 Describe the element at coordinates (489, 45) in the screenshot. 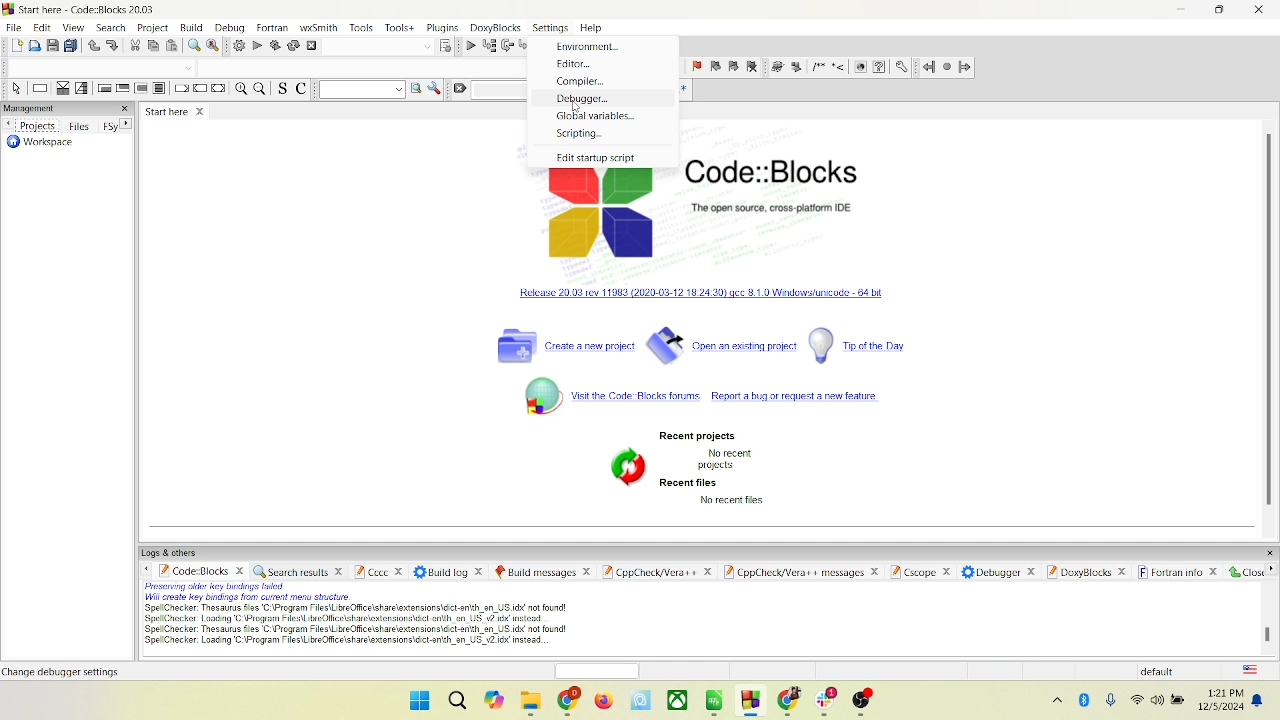

I see `run to cursor` at that location.